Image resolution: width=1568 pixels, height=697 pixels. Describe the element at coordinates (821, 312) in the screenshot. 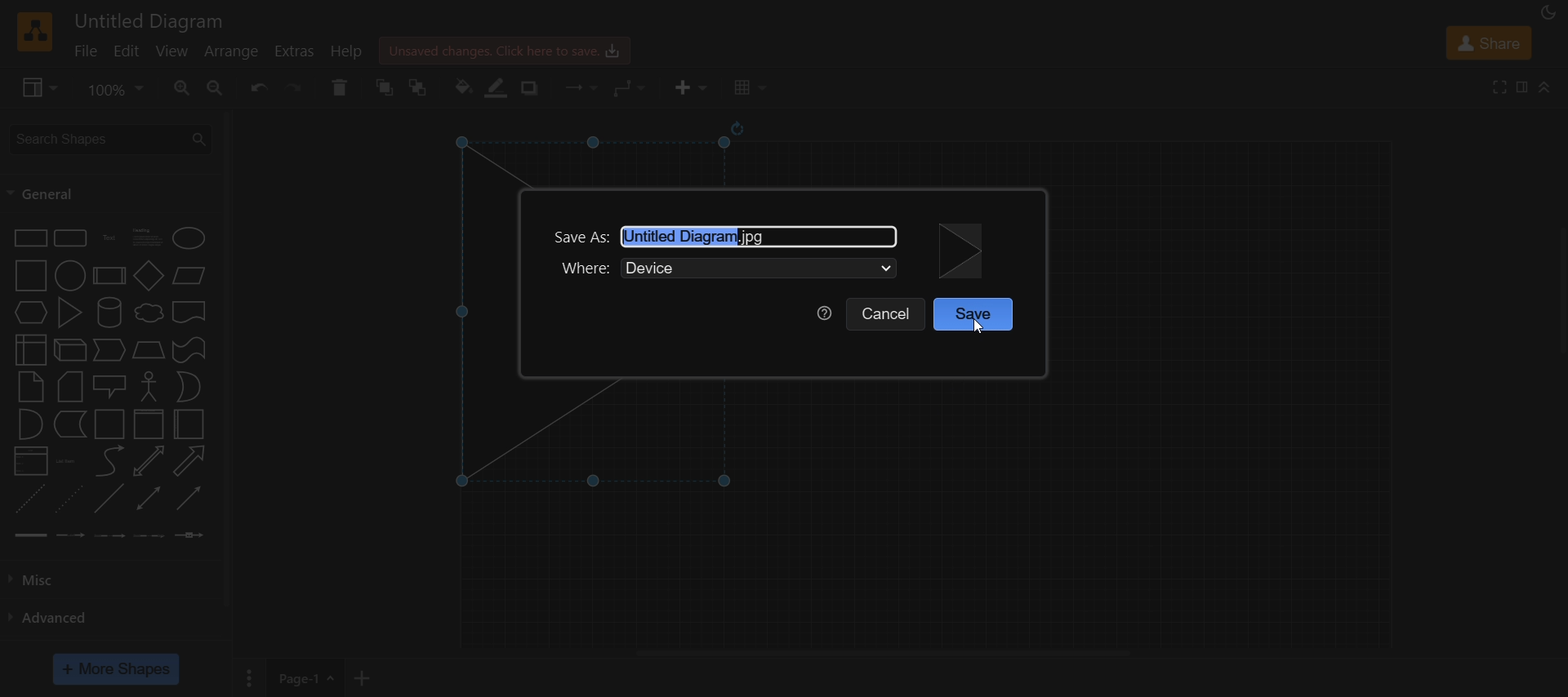

I see `help` at that location.